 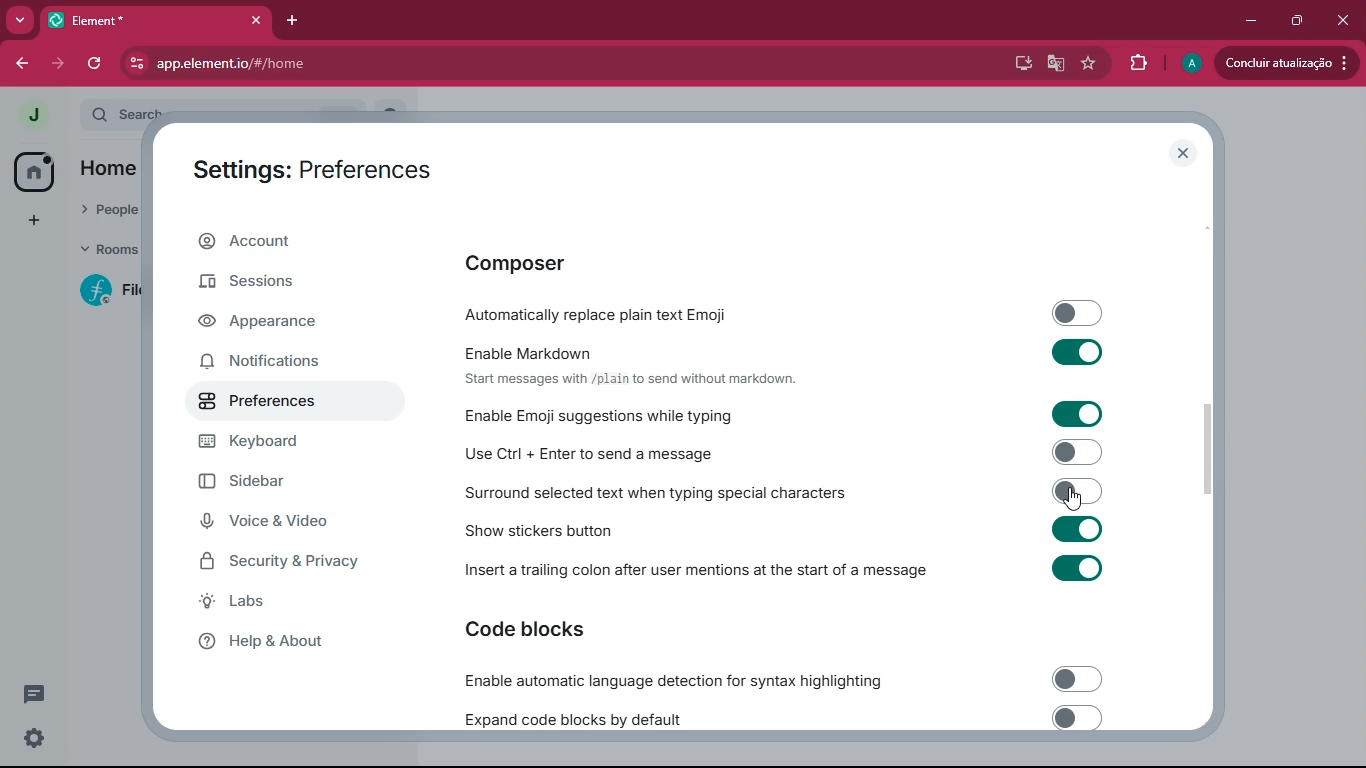 I want to click on automatically replace plain text emoji, so click(x=794, y=312).